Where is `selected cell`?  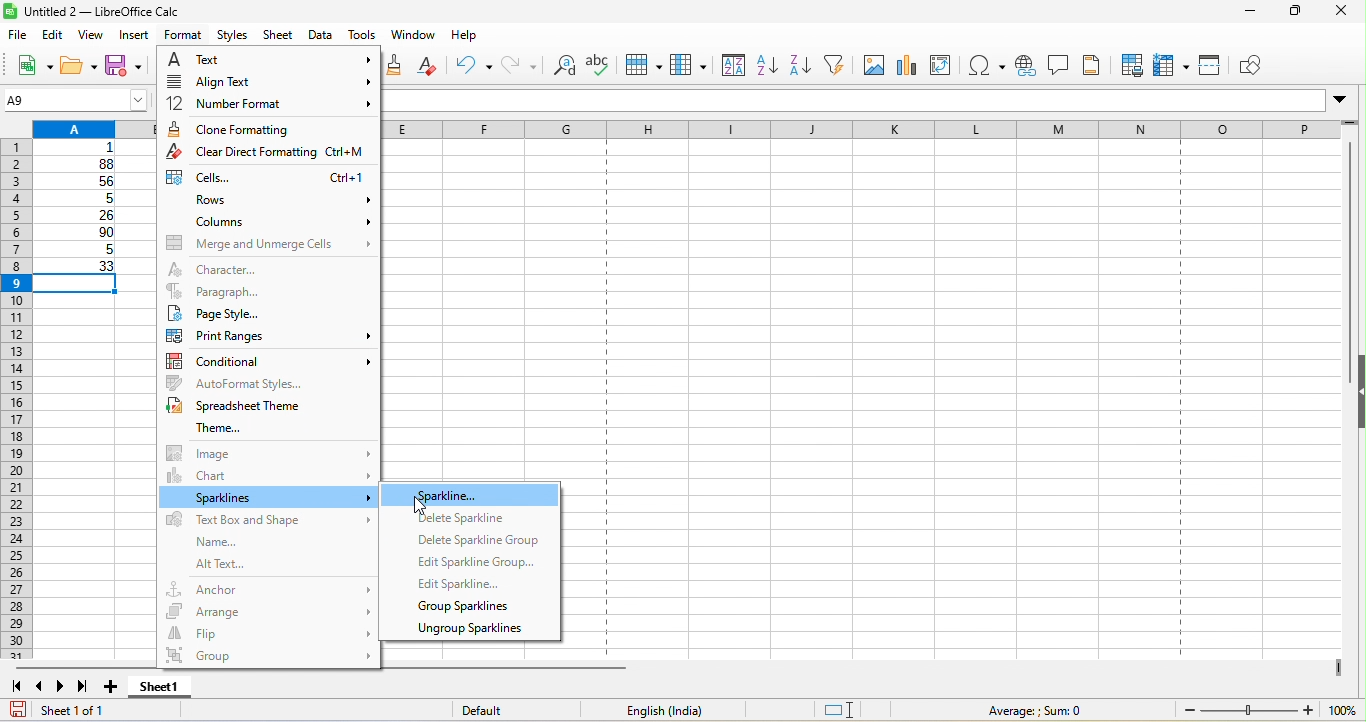 selected cell is located at coordinates (81, 285).